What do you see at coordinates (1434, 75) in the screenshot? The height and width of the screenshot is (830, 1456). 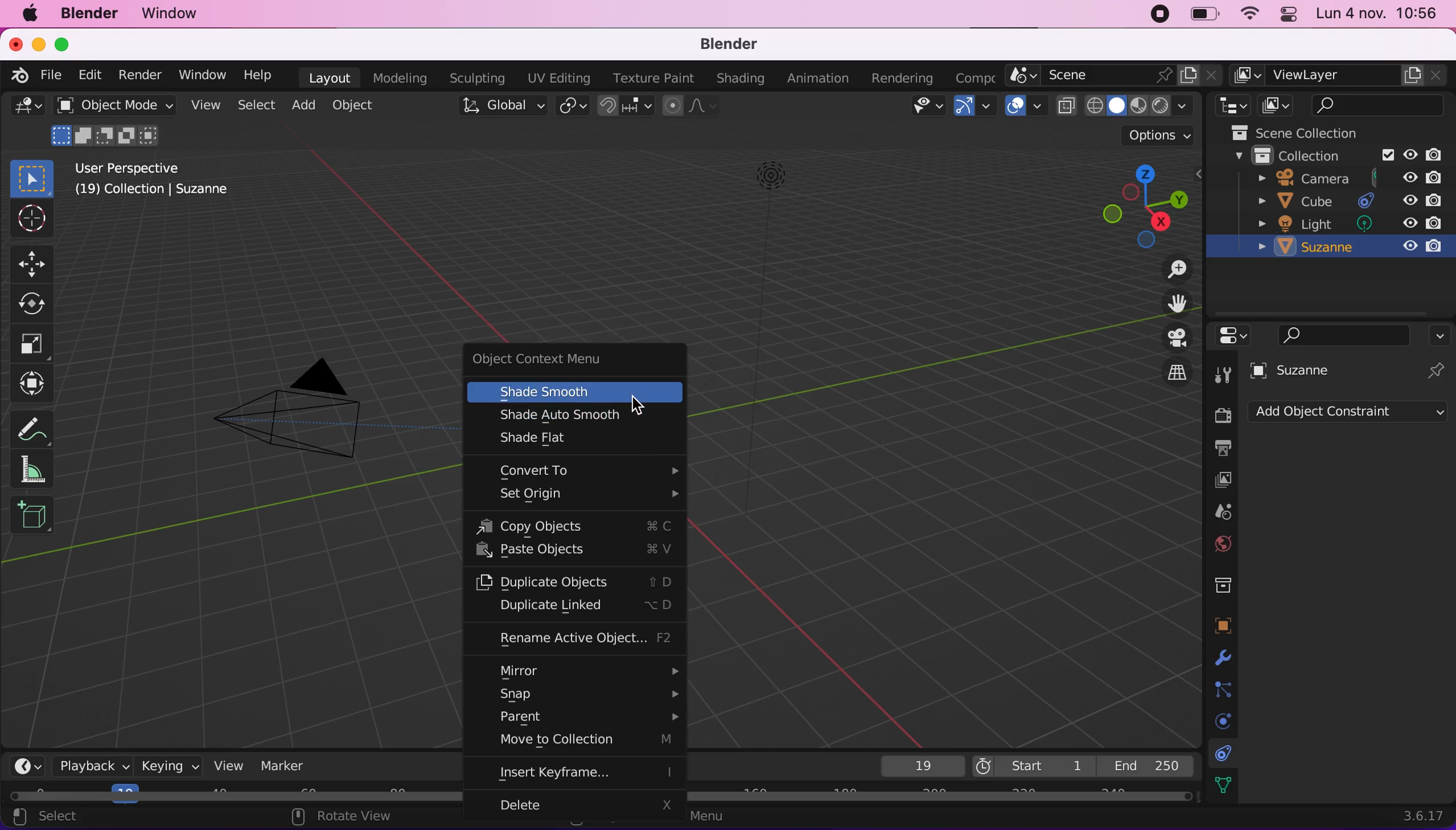 I see `remove layer` at bounding box center [1434, 75].